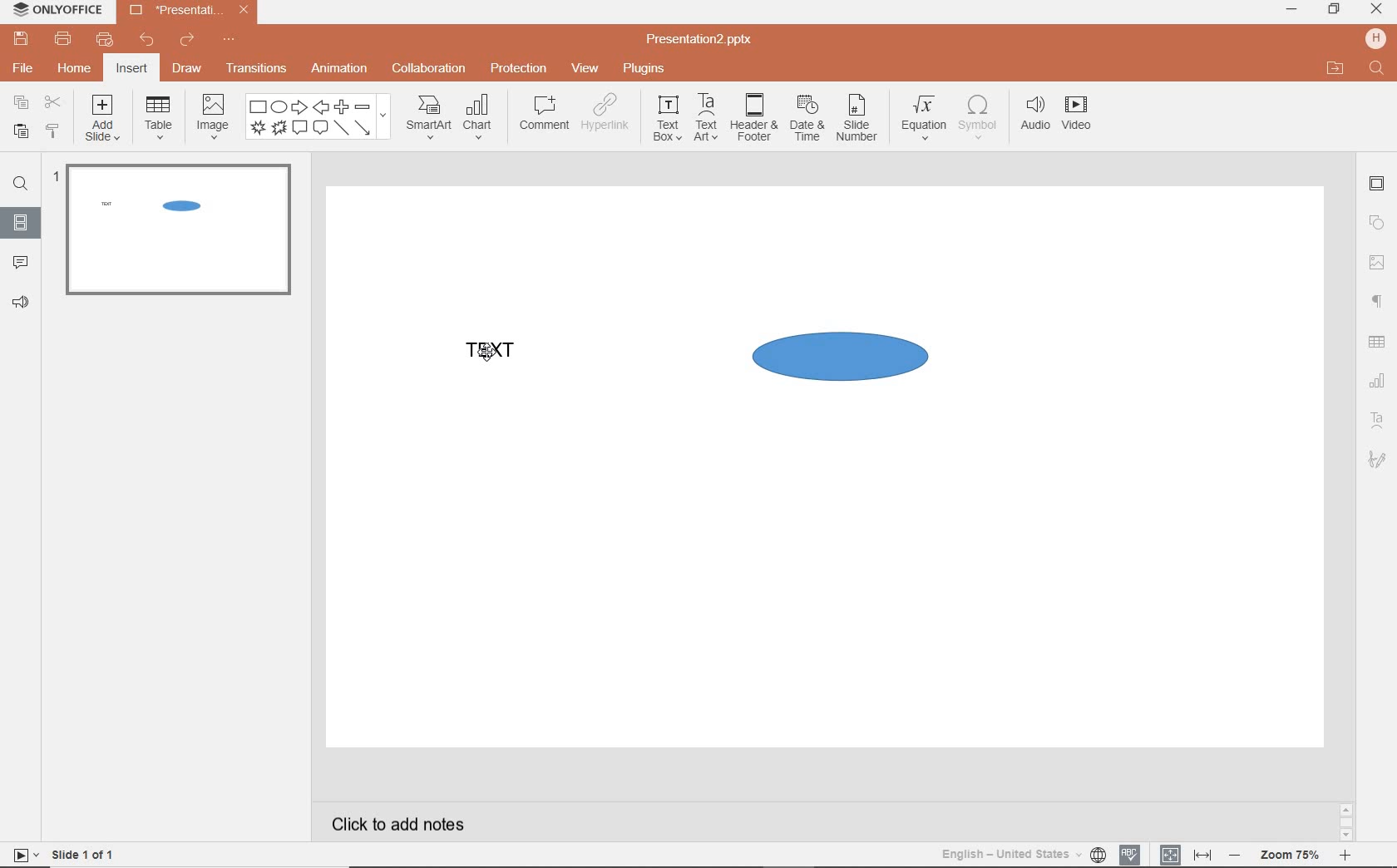 The width and height of the screenshot is (1397, 868). Describe the element at coordinates (1078, 116) in the screenshot. I see `video` at that location.